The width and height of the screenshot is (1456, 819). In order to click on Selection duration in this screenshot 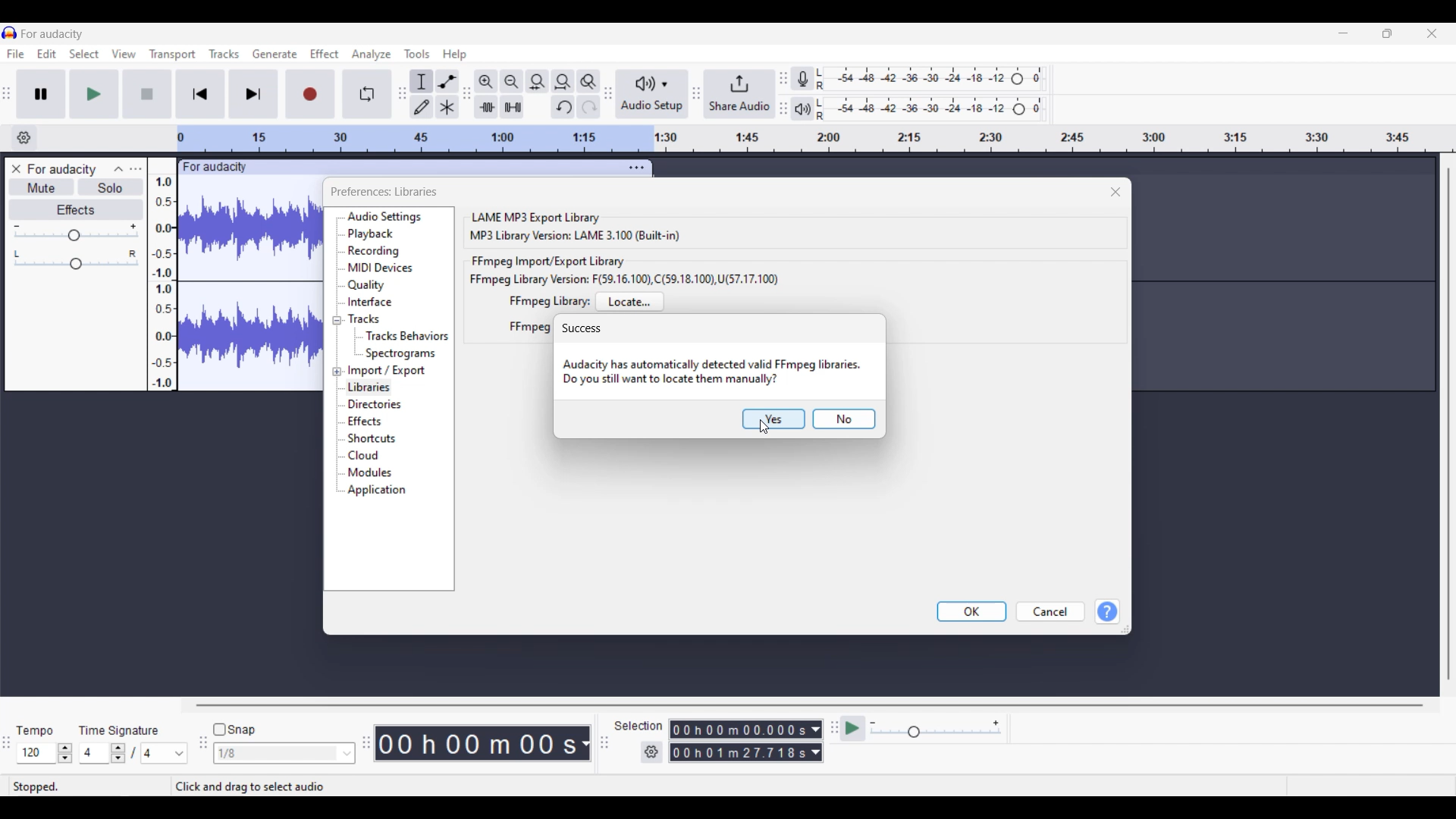, I will do `click(739, 742)`.